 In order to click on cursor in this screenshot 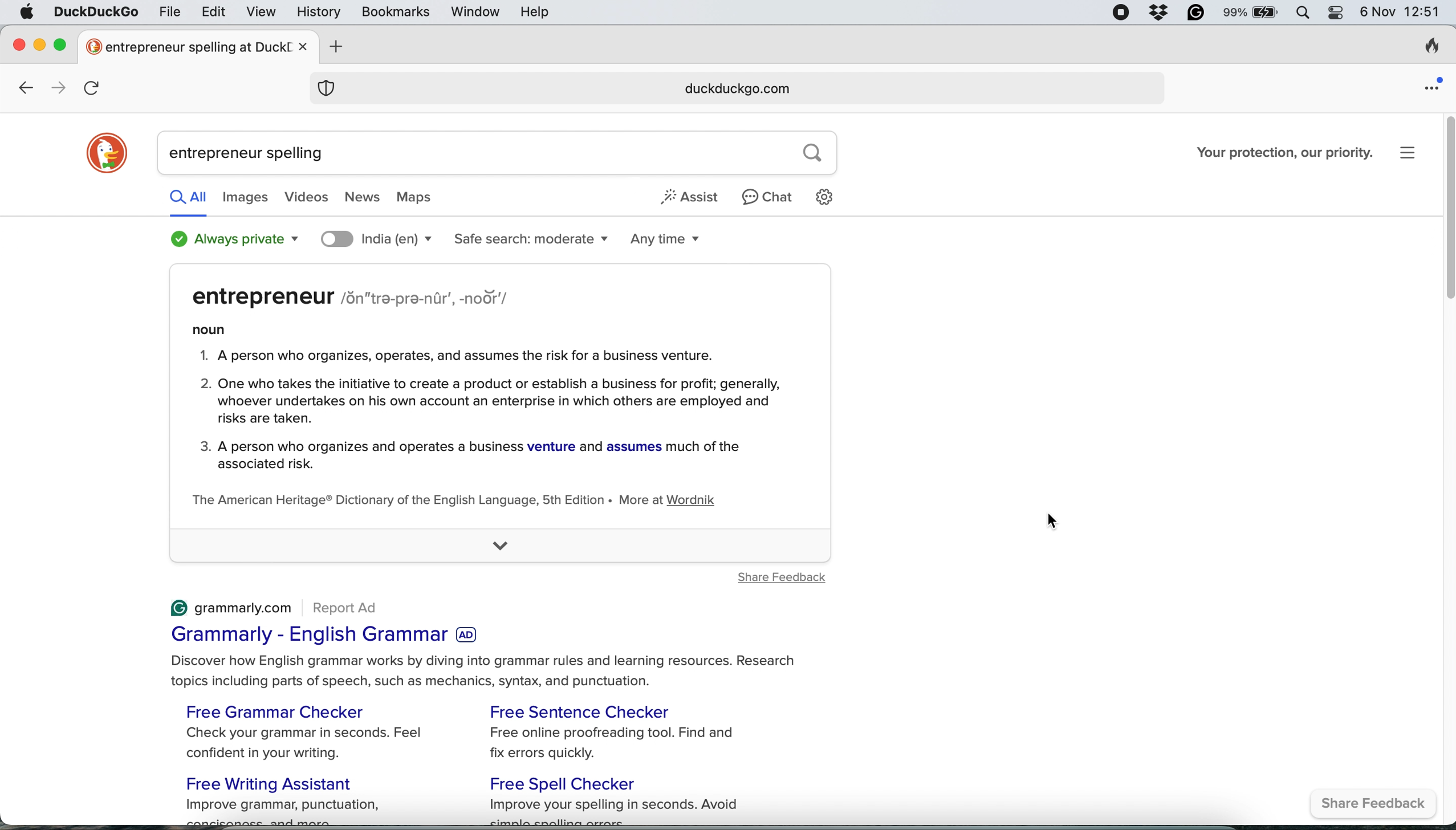, I will do `click(1043, 525)`.